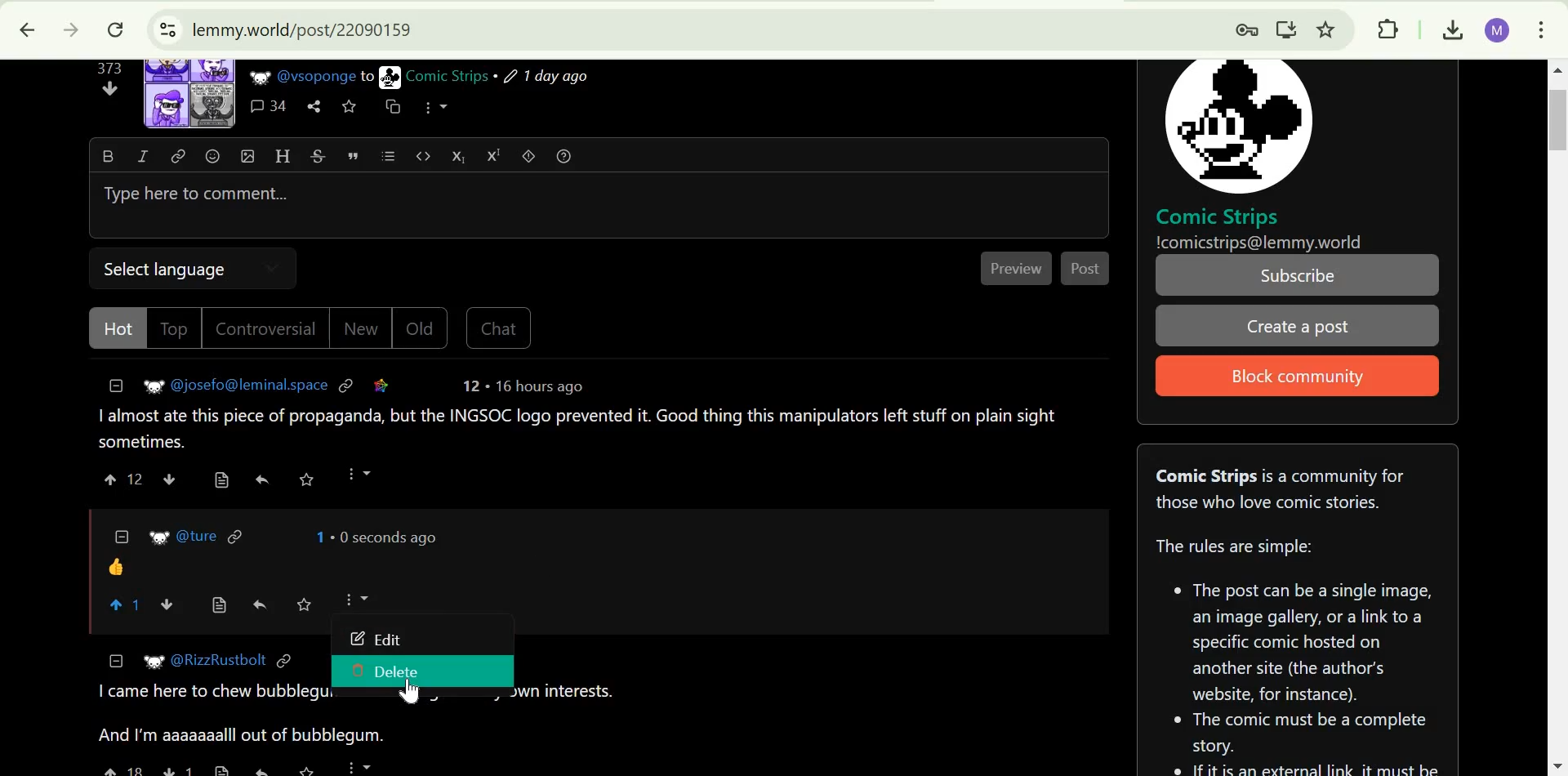  I want to click on Post, so click(1087, 268).